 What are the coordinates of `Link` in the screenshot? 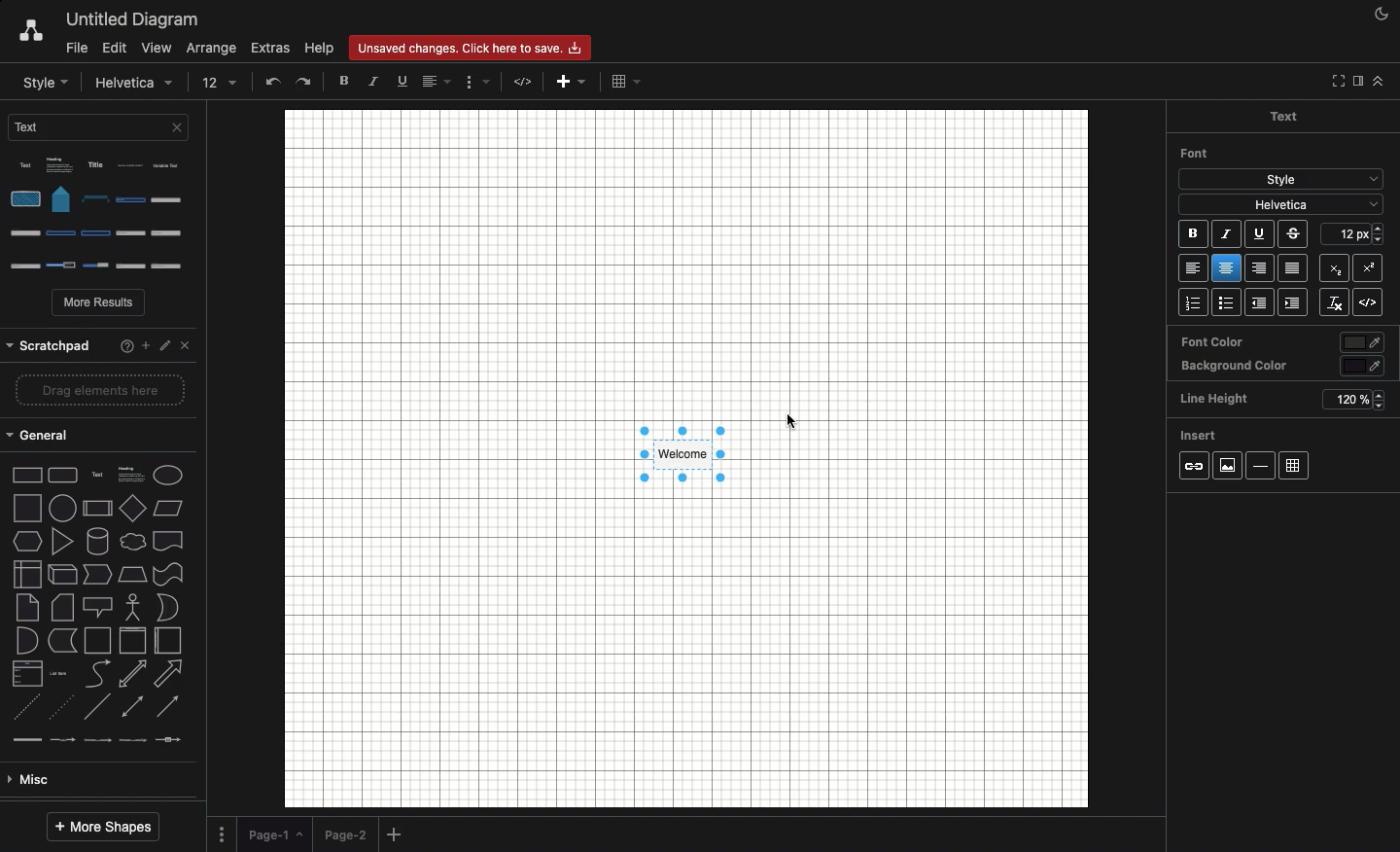 It's located at (1194, 467).